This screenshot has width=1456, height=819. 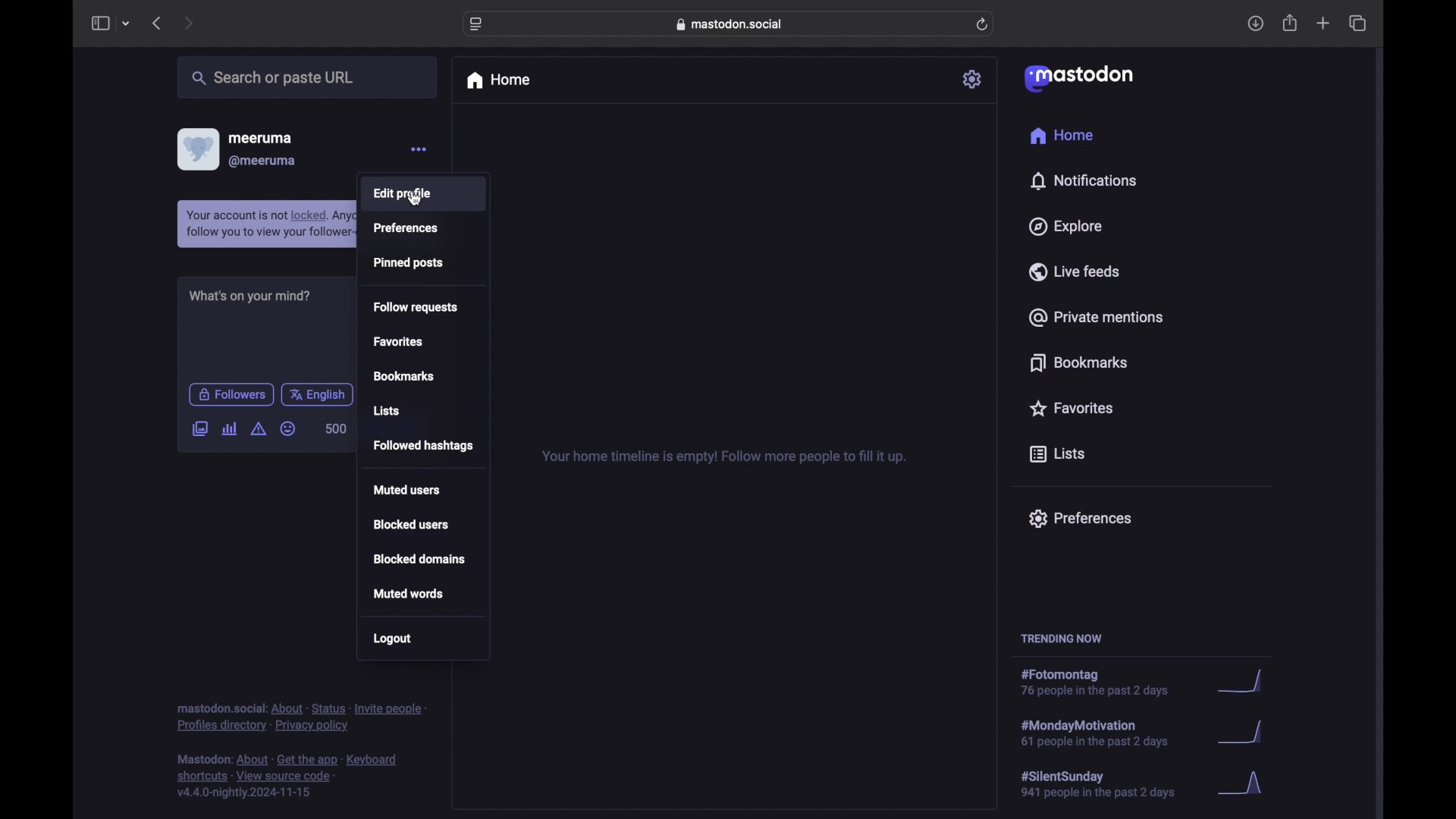 I want to click on meeruma, so click(x=260, y=138).